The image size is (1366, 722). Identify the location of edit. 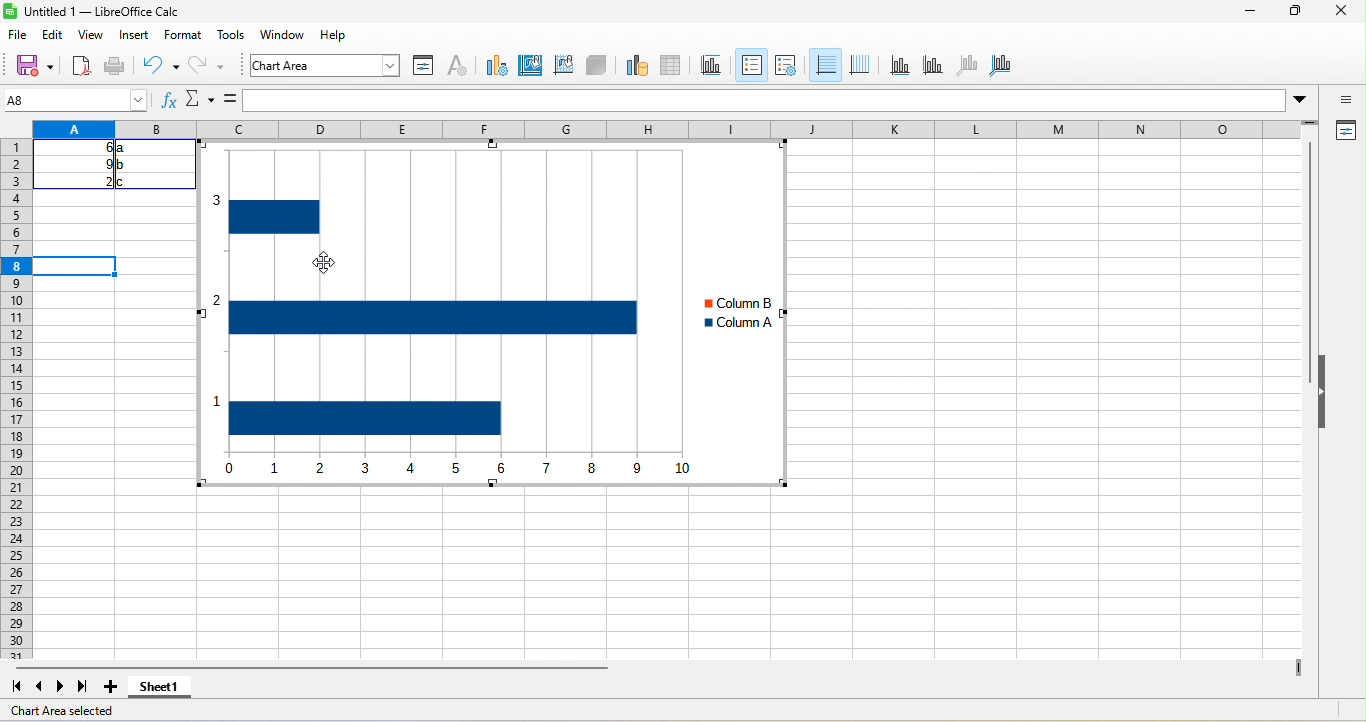
(56, 33).